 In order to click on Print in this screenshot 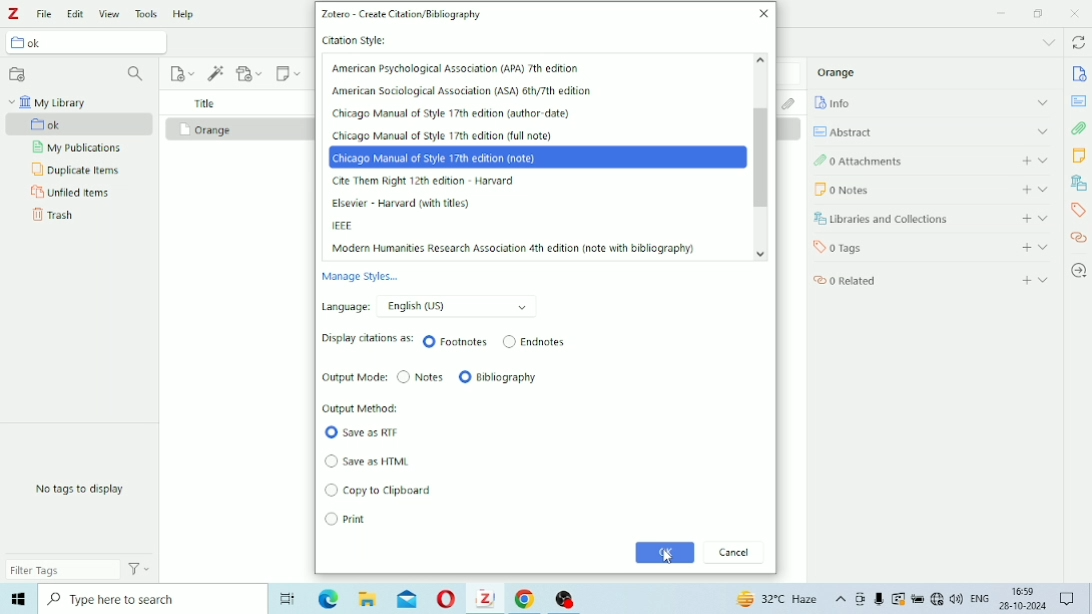, I will do `click(347, 520)`.